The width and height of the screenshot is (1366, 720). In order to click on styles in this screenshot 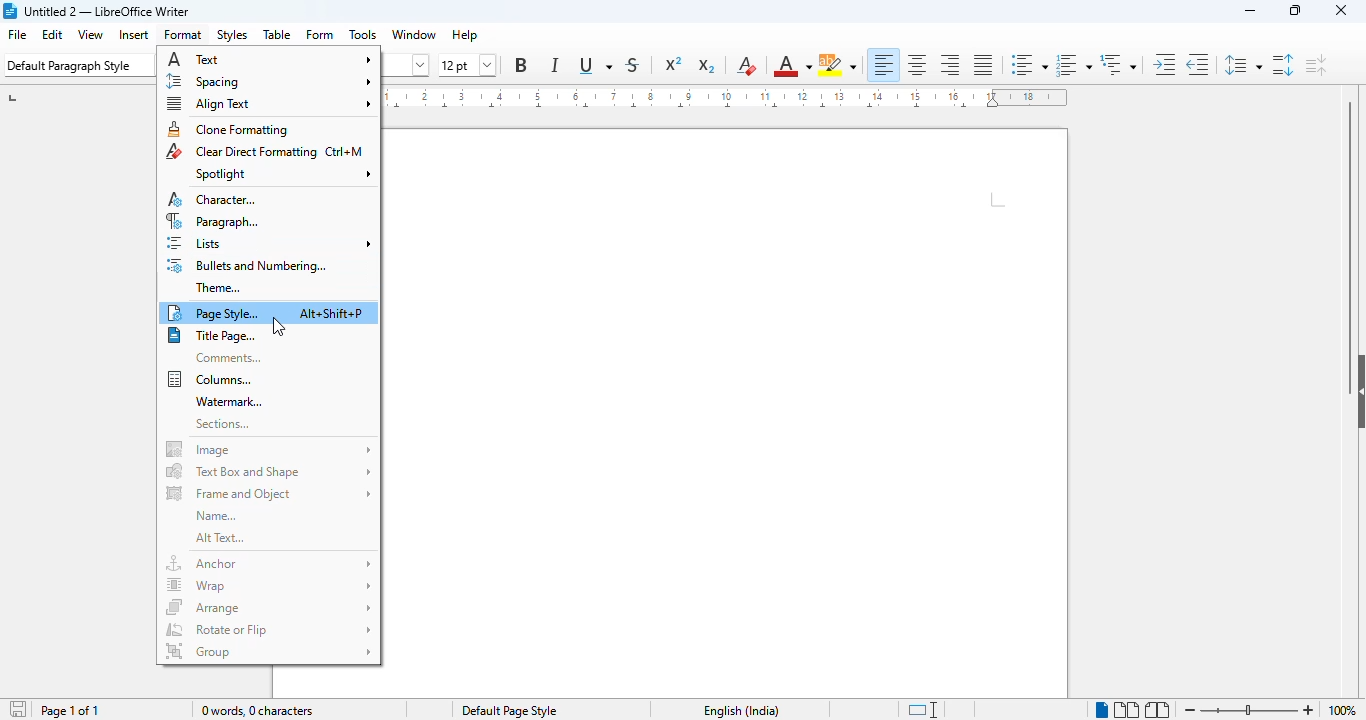, I will do `click(231, 34)`.